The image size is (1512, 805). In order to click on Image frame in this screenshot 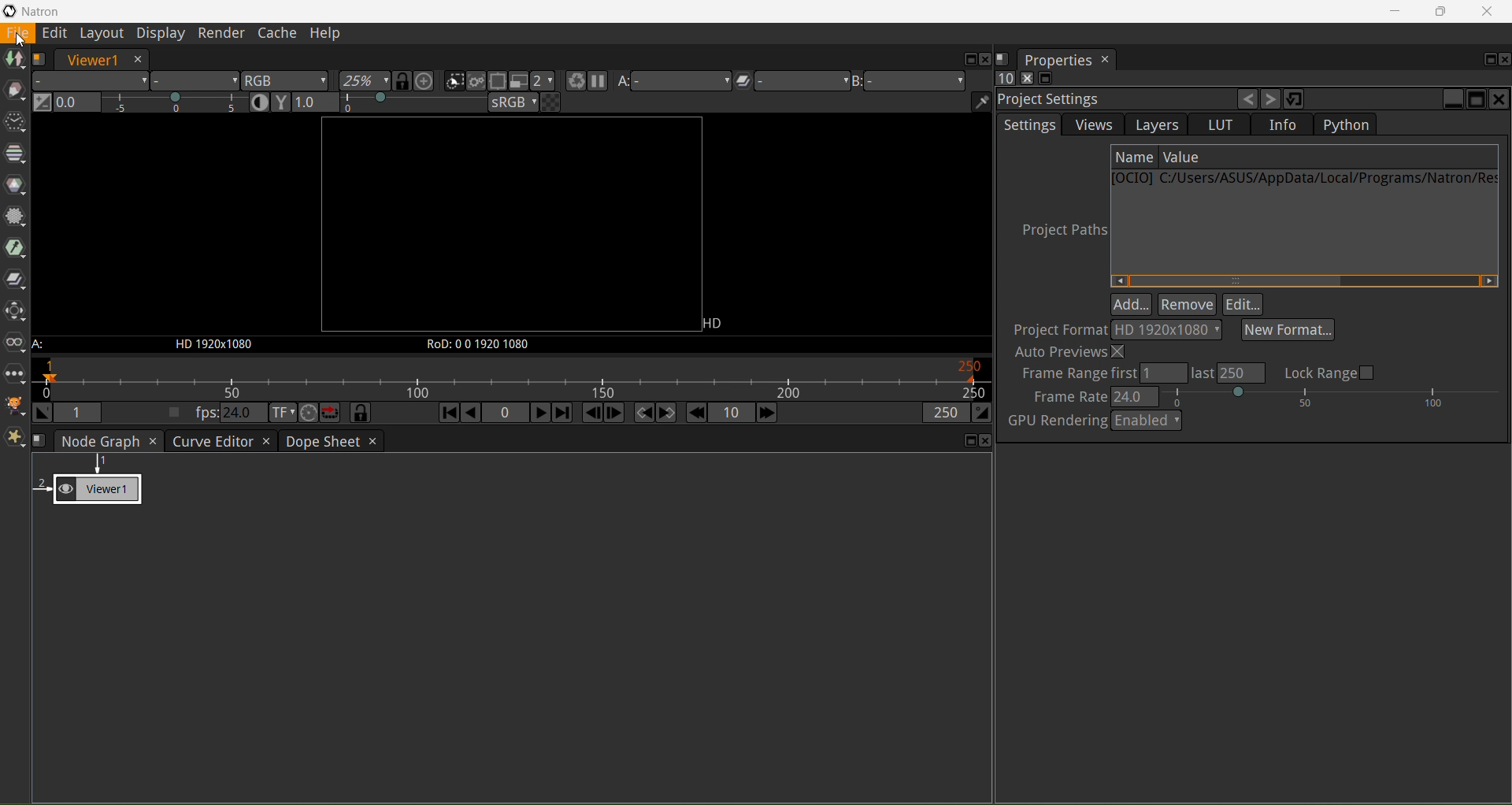, I will do `click(510, 225)`.